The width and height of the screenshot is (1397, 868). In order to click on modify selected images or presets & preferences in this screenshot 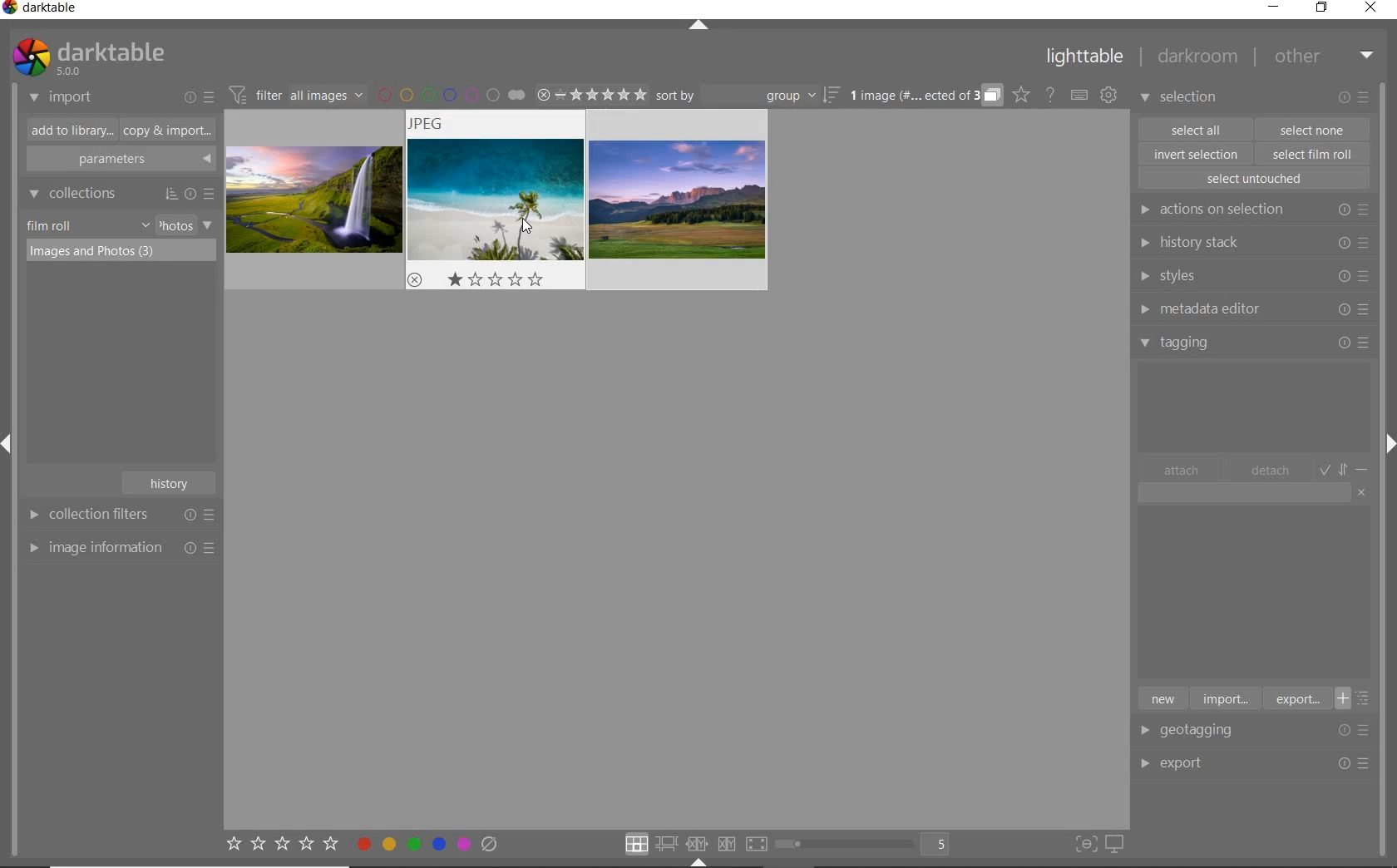, I will do `click(1356, 98)`.